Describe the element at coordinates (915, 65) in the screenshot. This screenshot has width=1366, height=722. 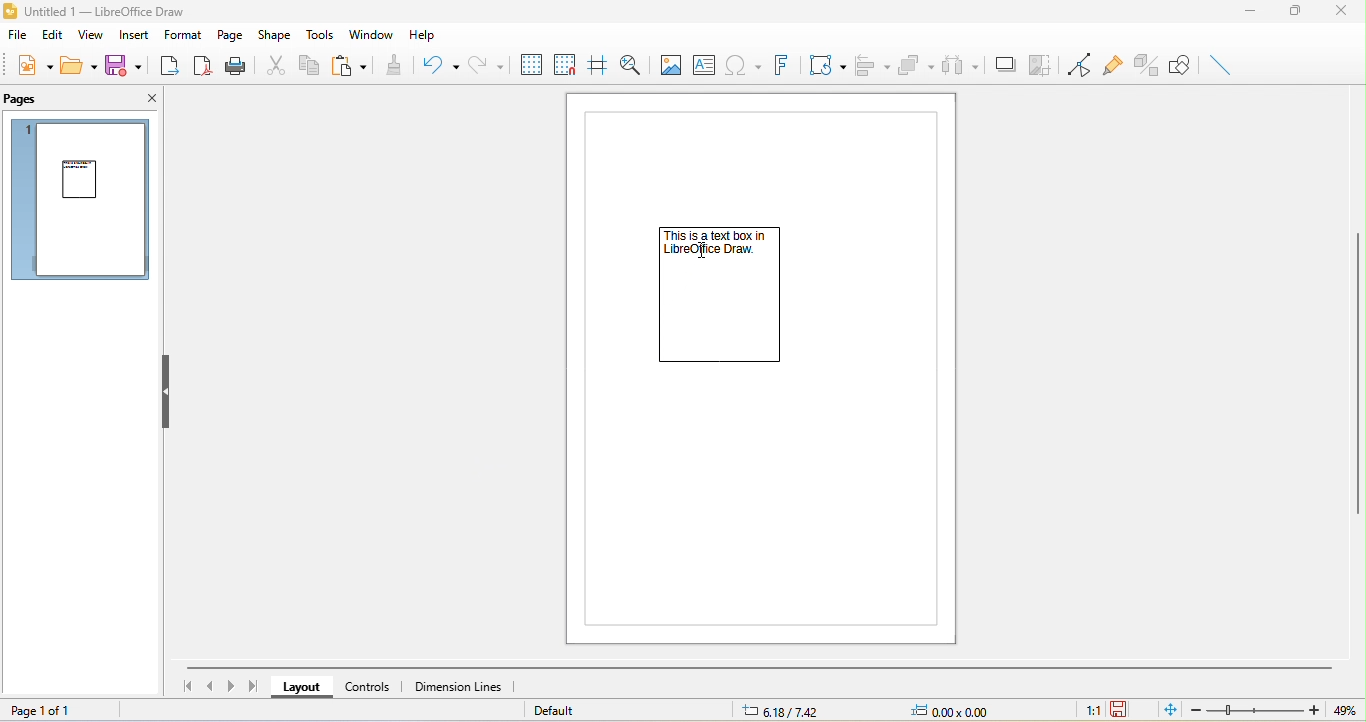
I see `arrange` at that location.